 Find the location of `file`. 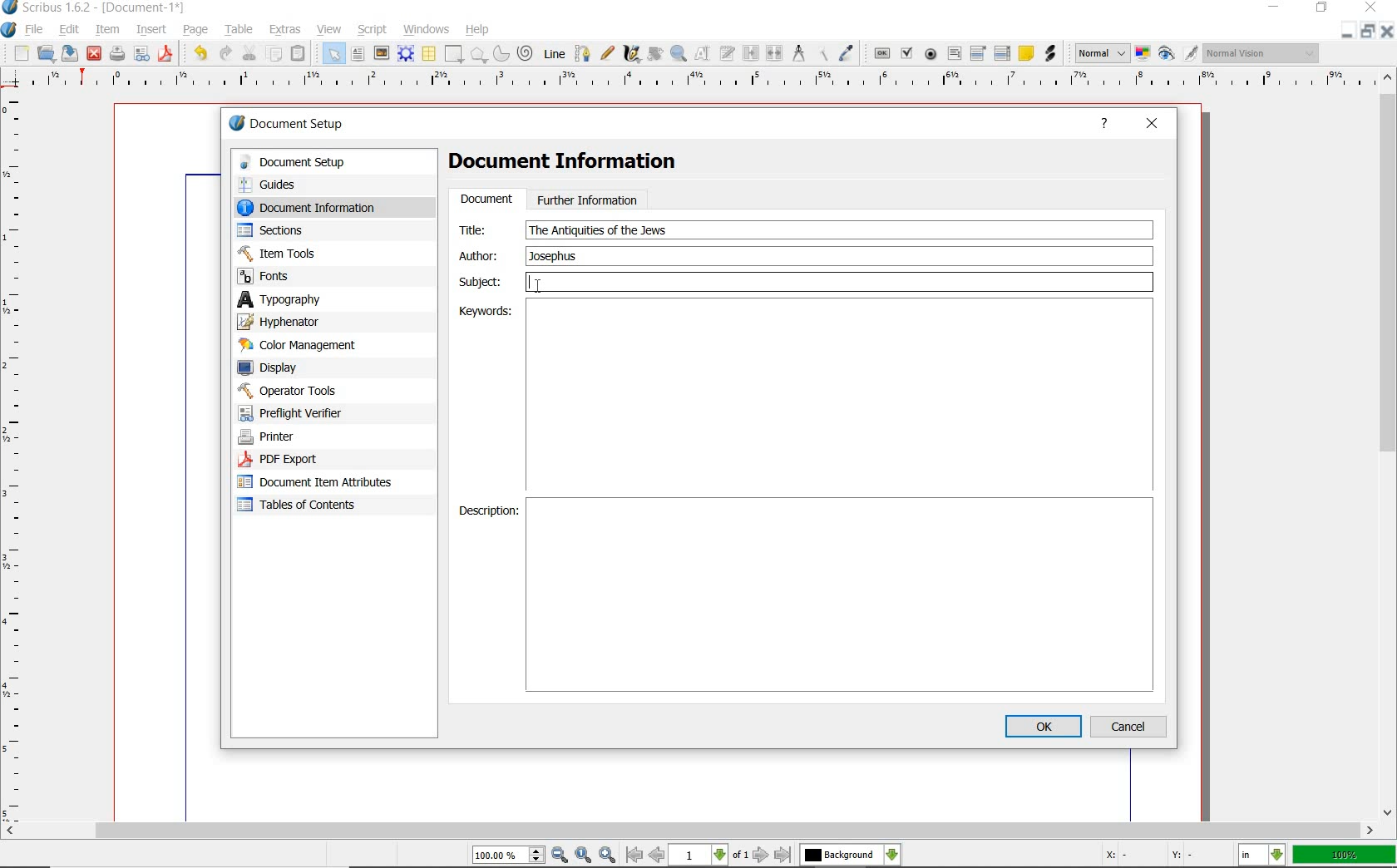

file is located at coordinates (35, 28).